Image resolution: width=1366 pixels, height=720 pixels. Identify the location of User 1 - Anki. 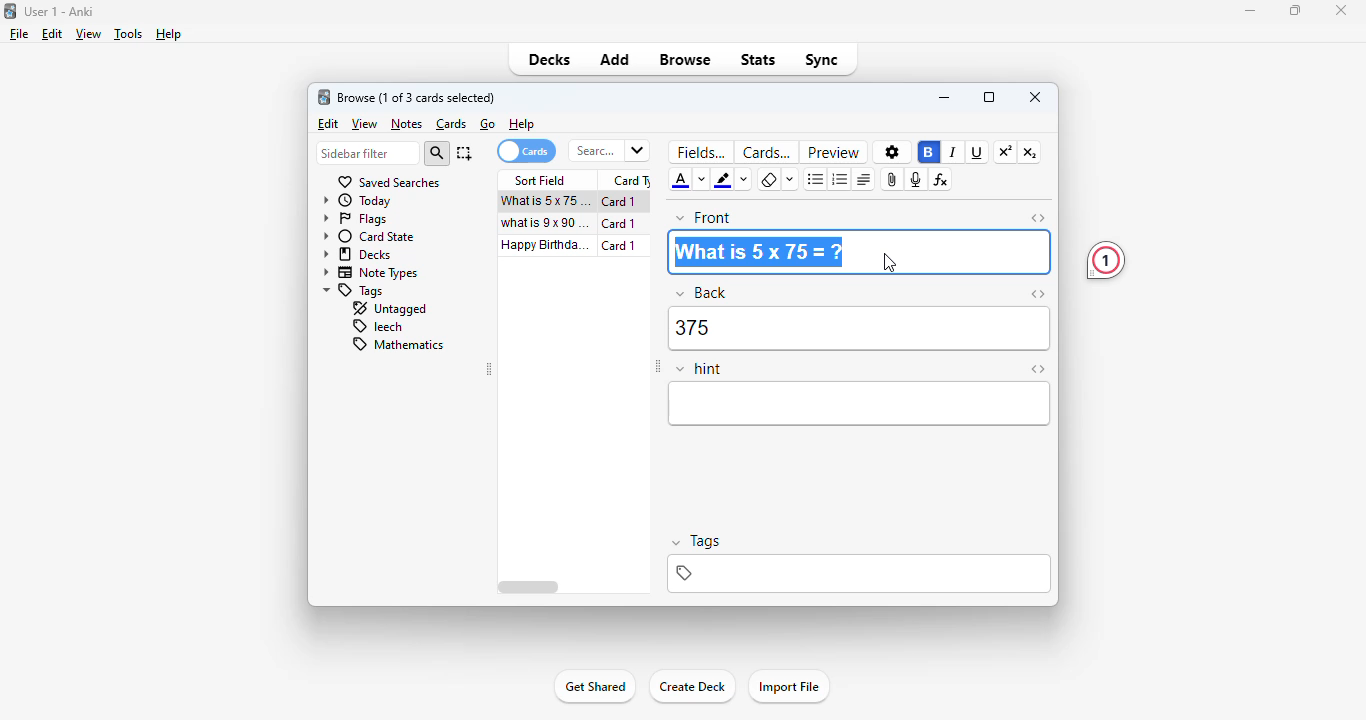
(60, 11).